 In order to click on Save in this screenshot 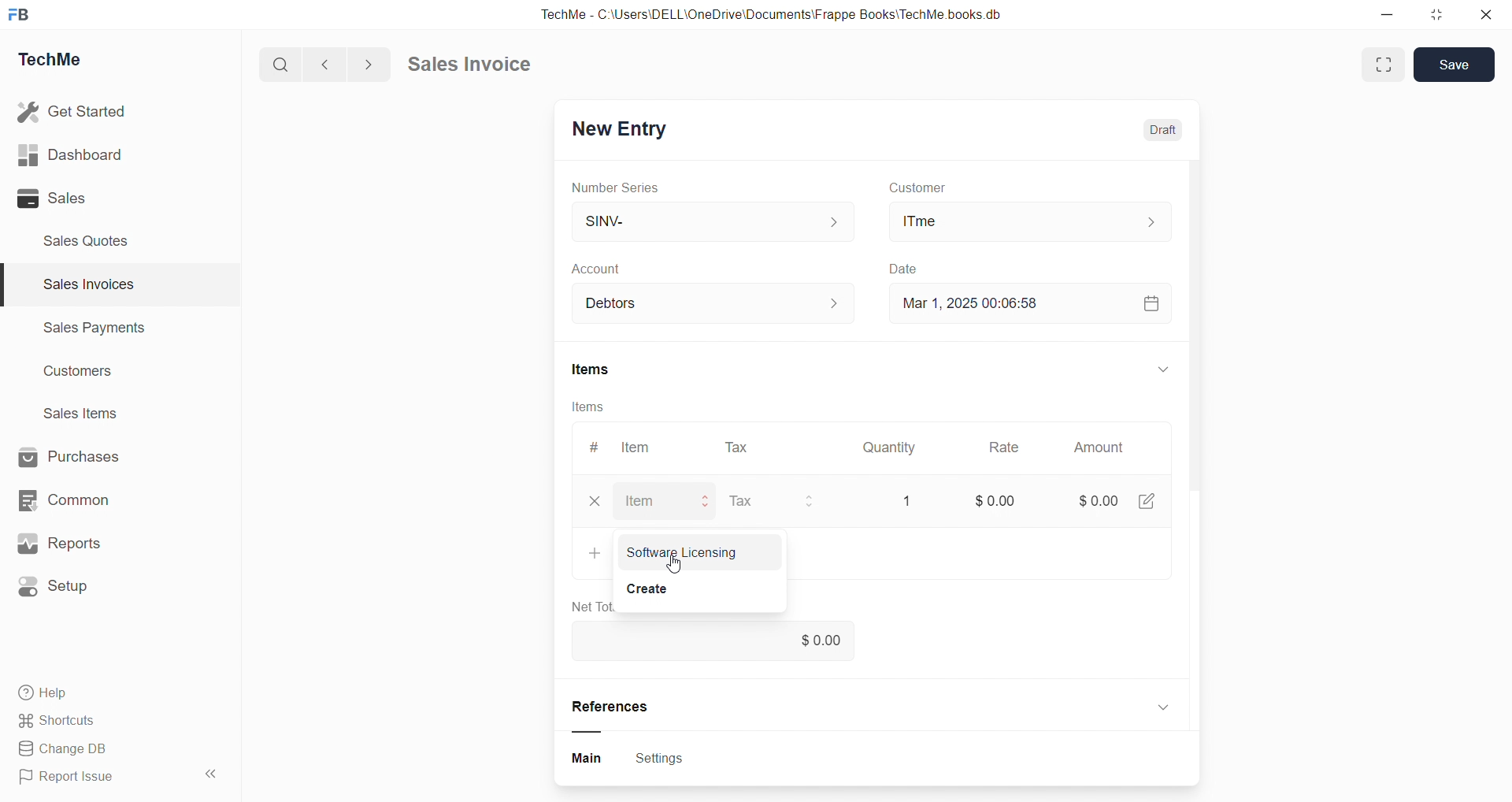, I will do `click(1458, 64)`.